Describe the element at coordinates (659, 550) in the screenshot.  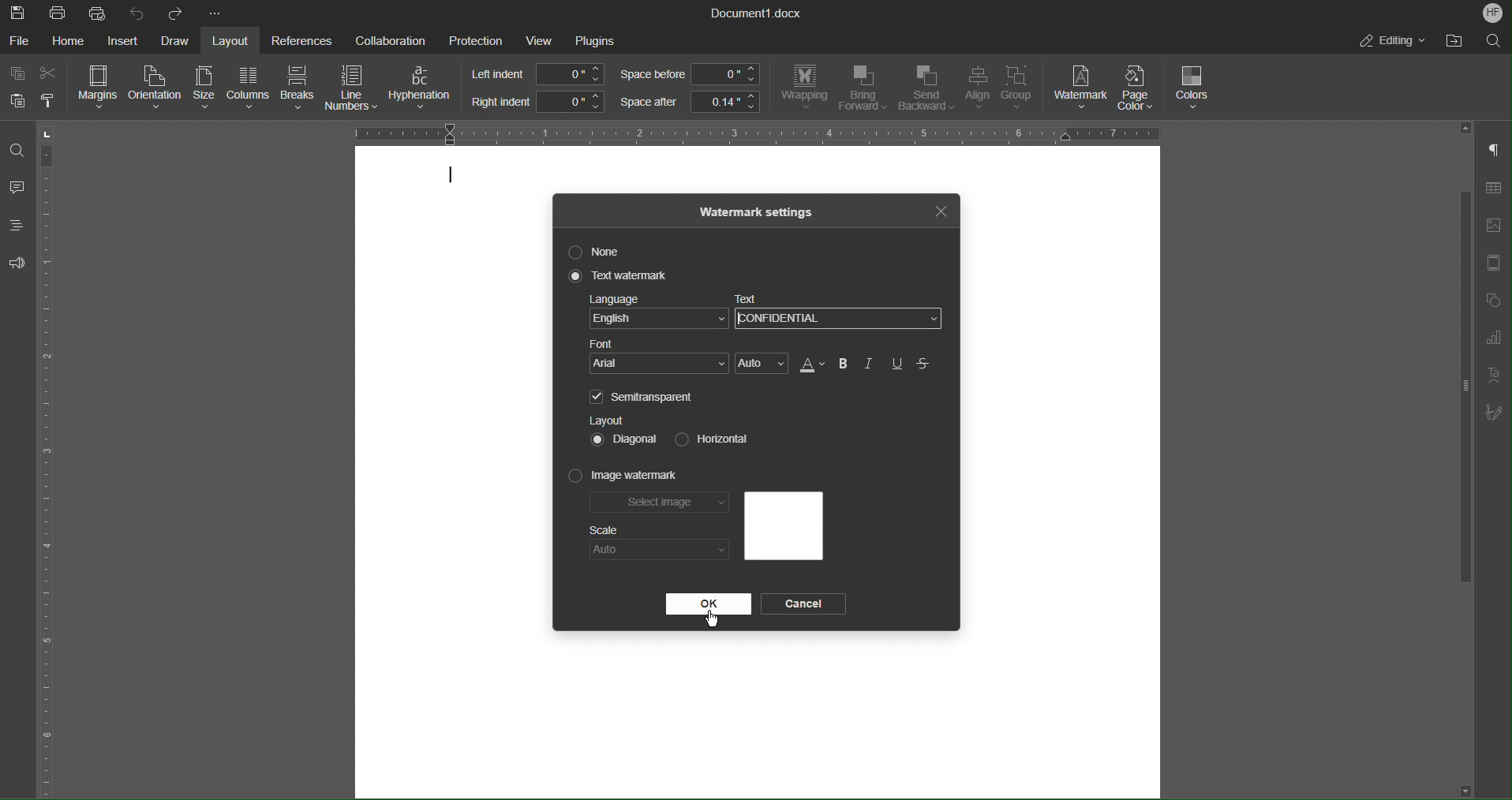
I see `Auto` at that location.